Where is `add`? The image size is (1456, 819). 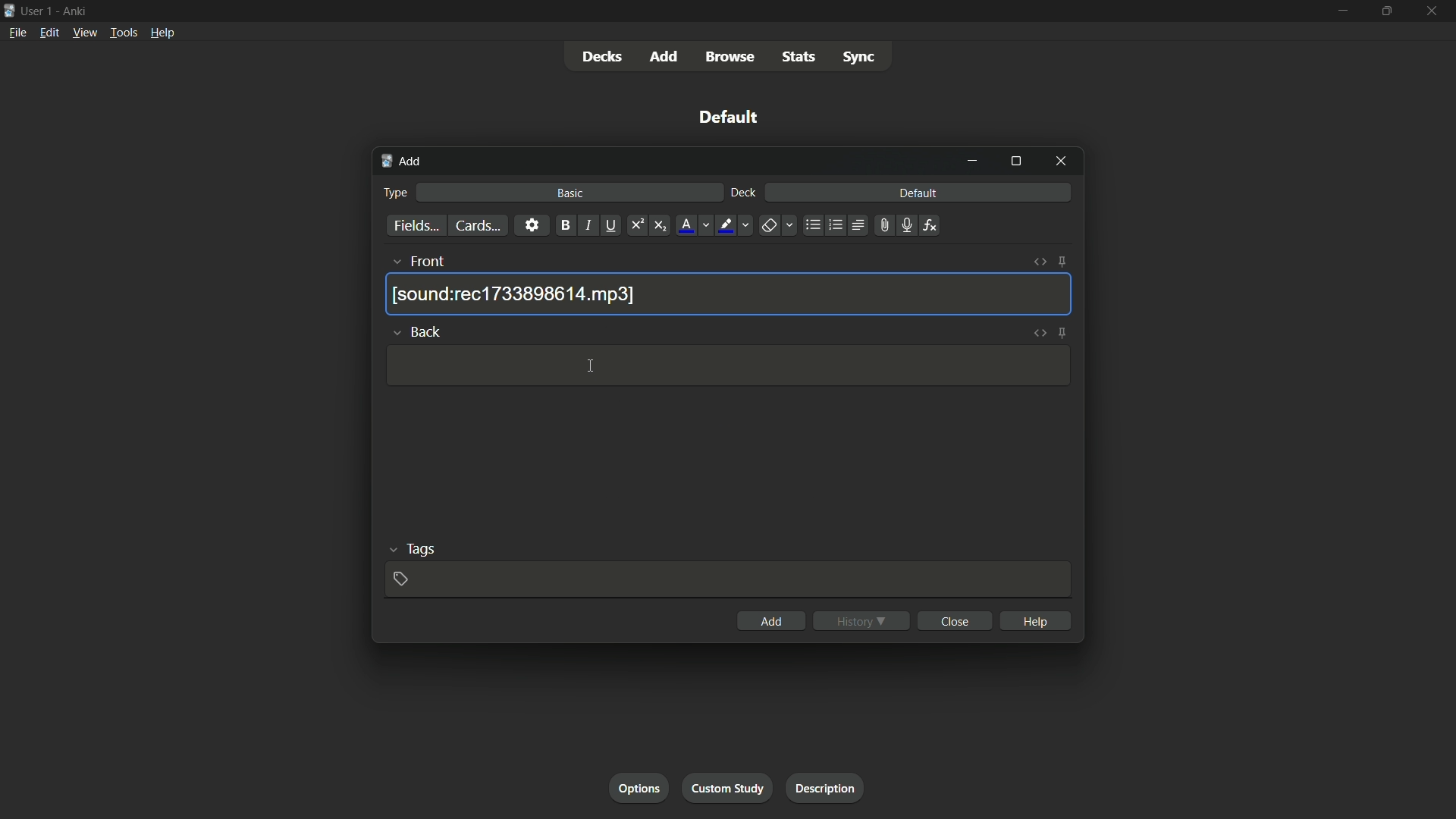
add is located at coordinates (770, 621).